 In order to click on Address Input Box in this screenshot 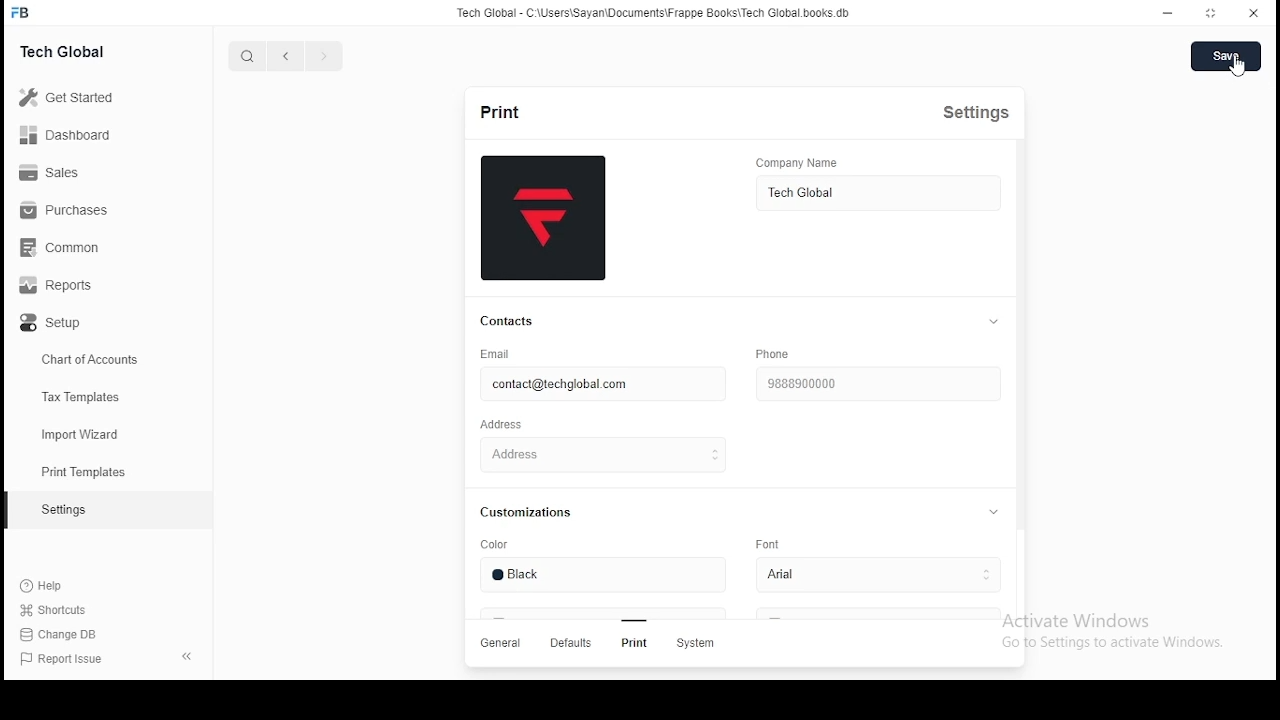, I will do `click(600, 454)`.